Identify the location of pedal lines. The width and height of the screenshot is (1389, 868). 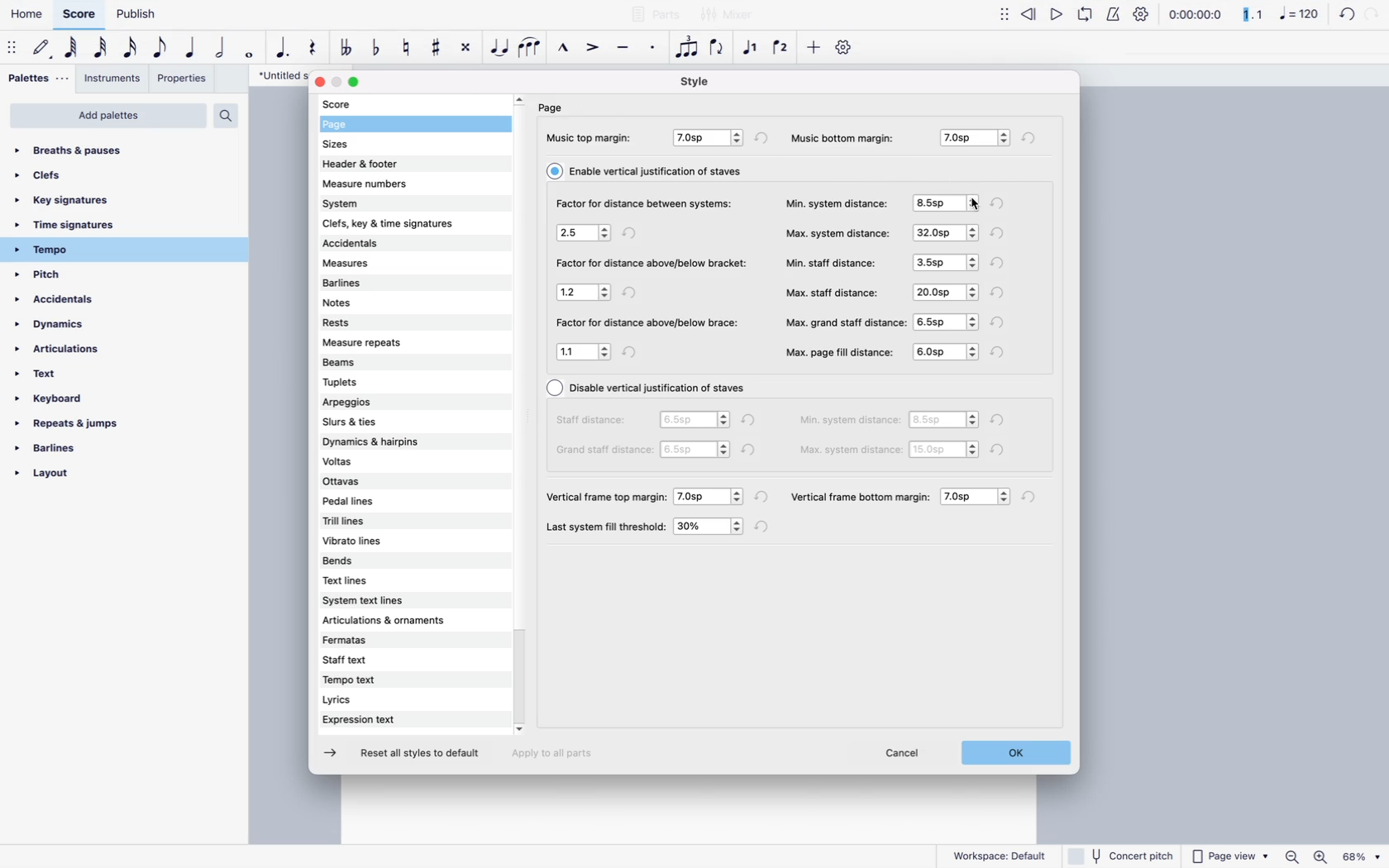
(368, 503).